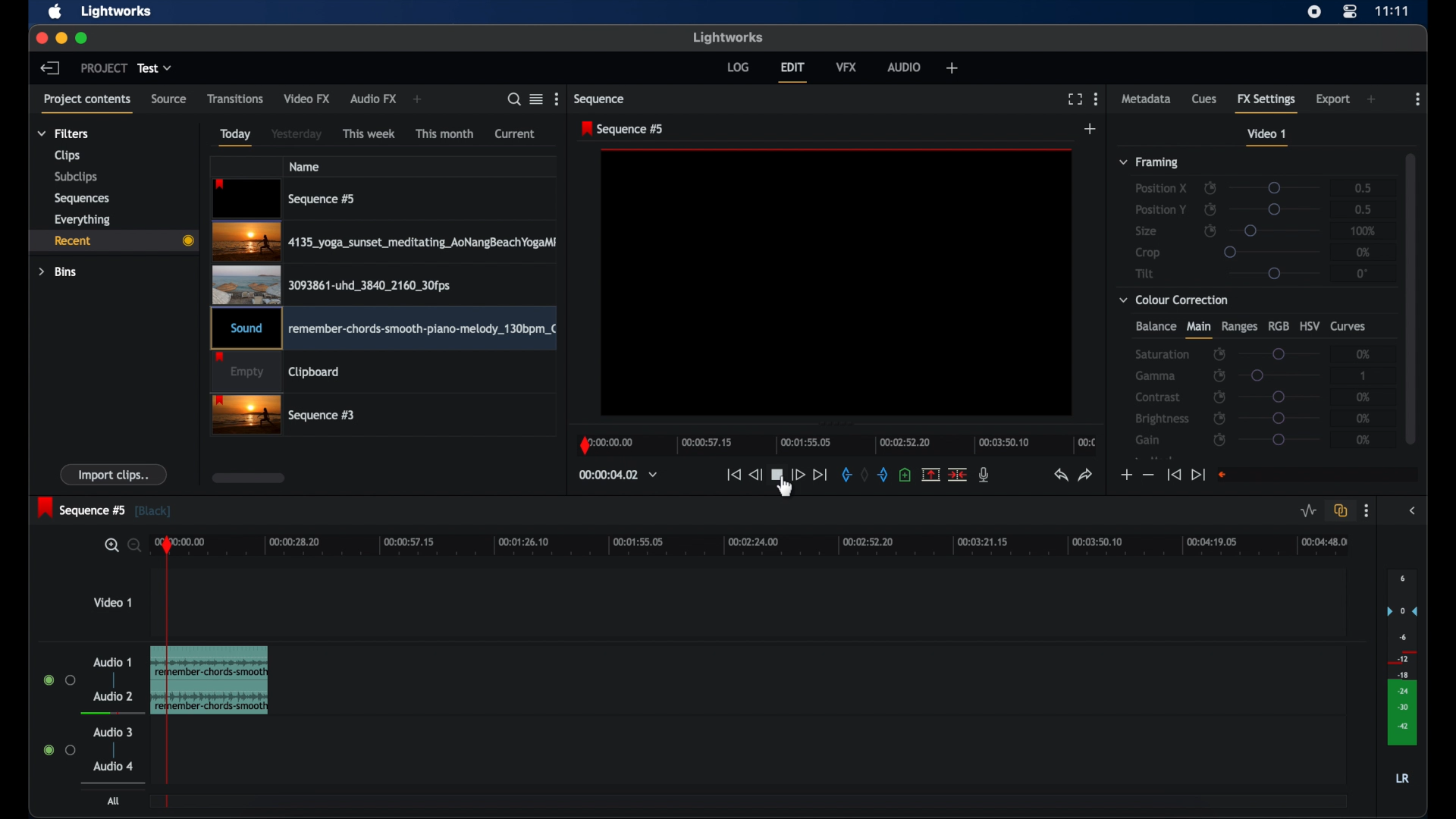 The height and width of the screenshot is (819, 1456). I want to click on 0%, so click(1365, 418).